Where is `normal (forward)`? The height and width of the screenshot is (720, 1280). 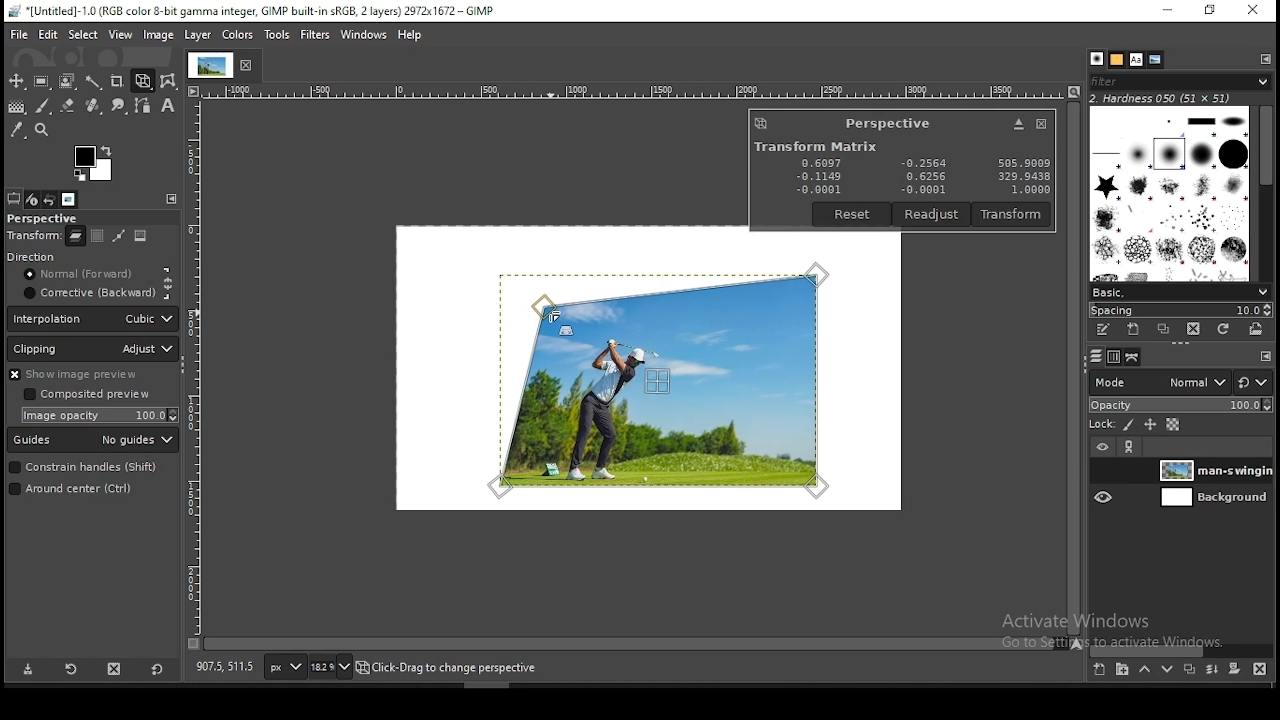
normal (forward) is located at coordinates (87, 277).